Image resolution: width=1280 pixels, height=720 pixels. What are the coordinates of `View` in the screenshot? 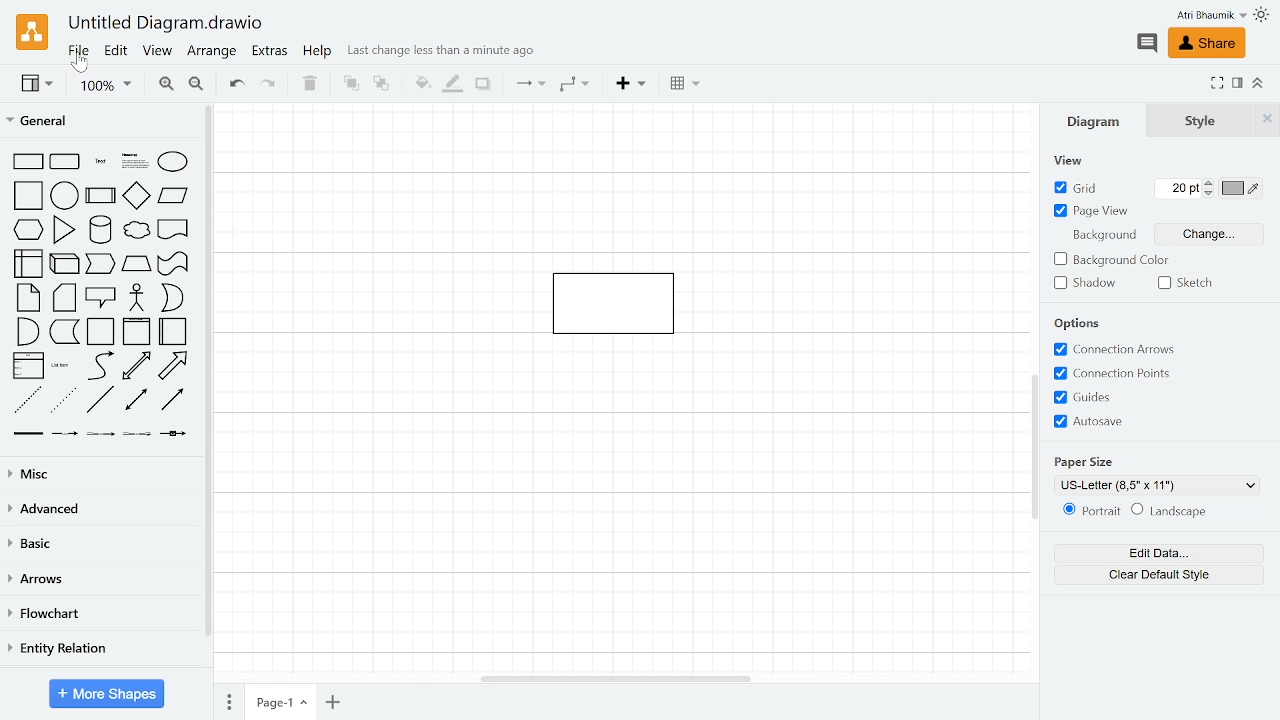 It's located at (38, 86).